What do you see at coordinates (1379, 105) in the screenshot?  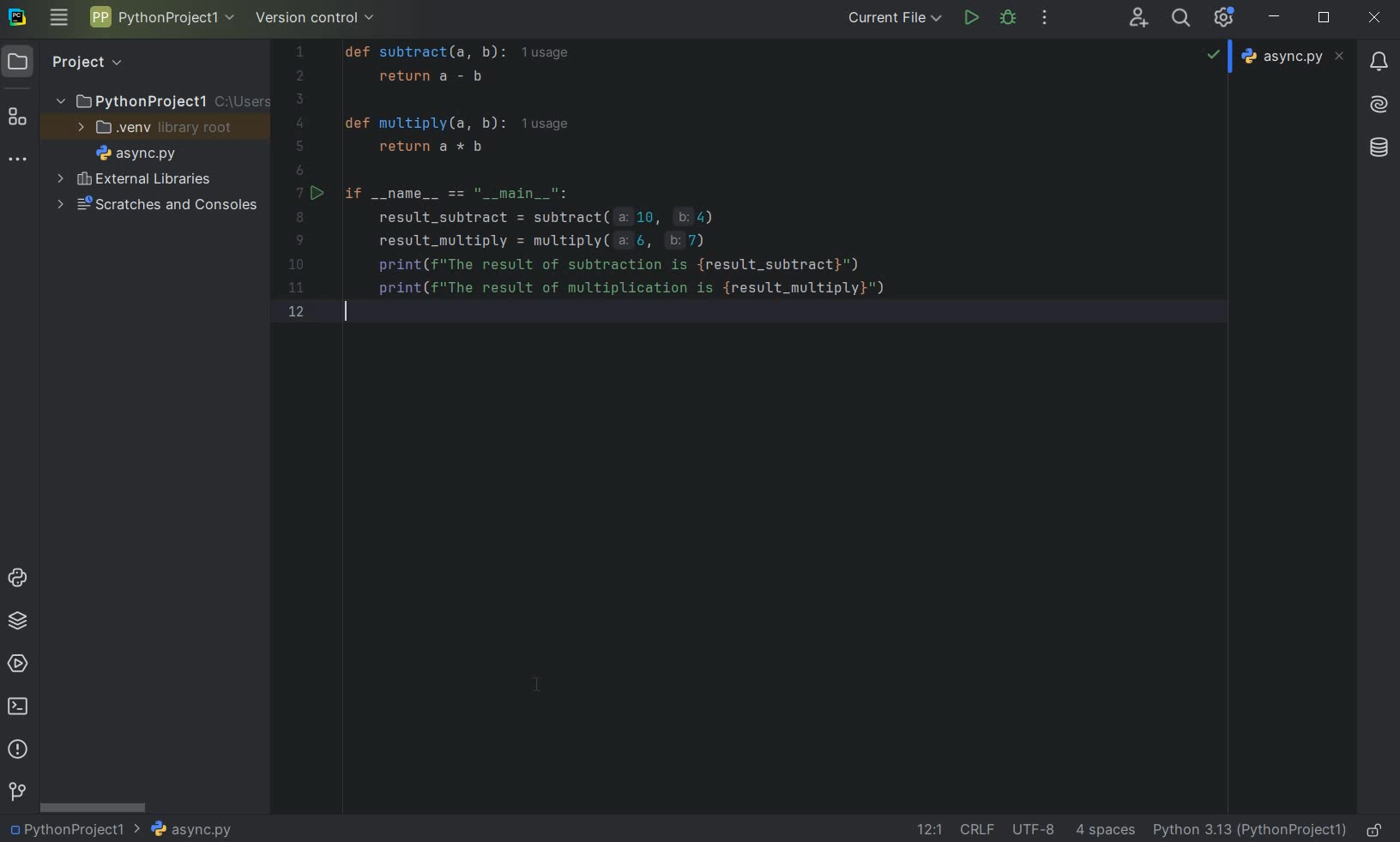 I see `AI Assistant` at bounding box center [1379, 105].